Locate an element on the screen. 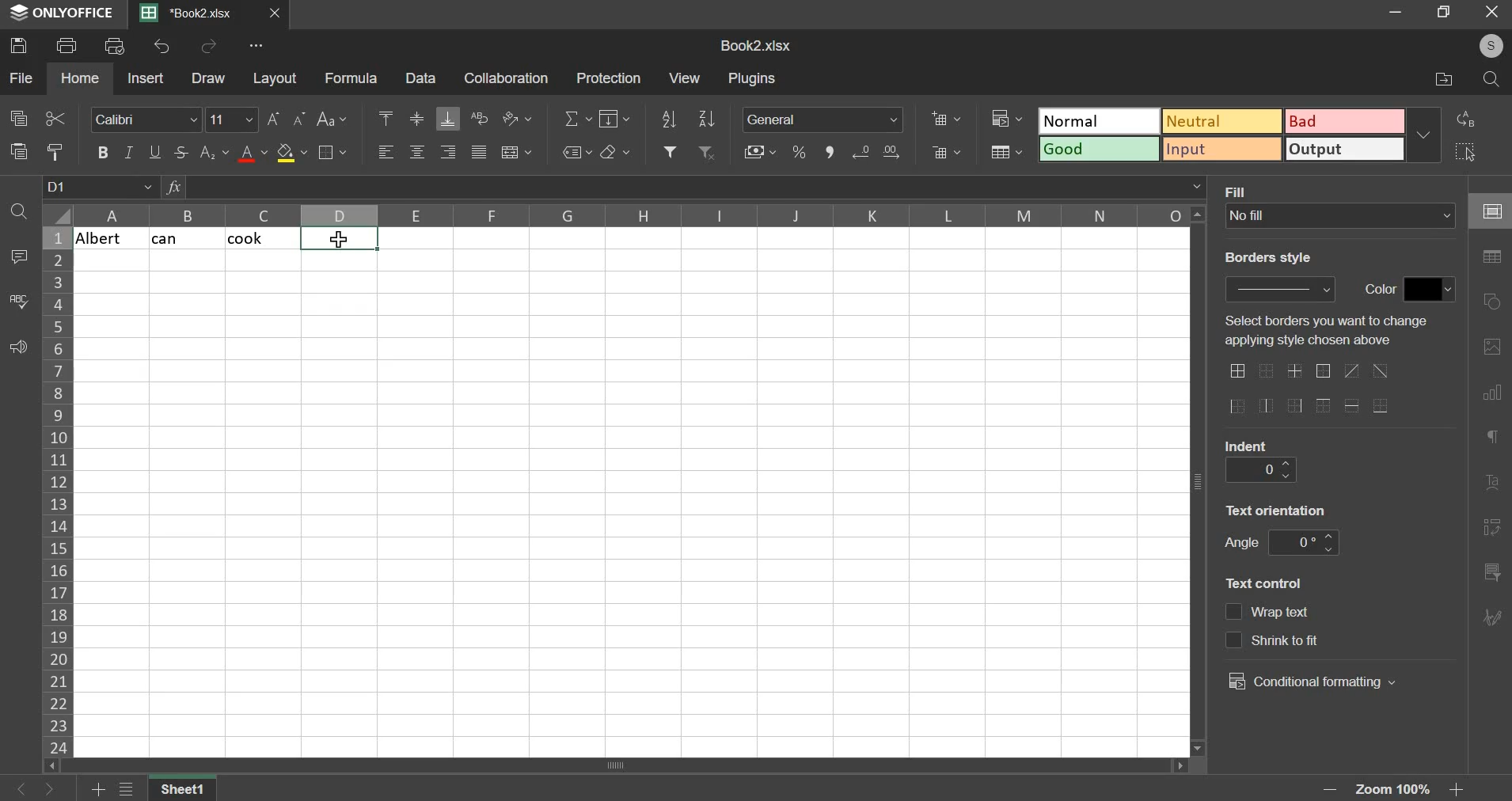 The width and height of the screenshot is (1512, 801). data is located at coordinates (420, 78).